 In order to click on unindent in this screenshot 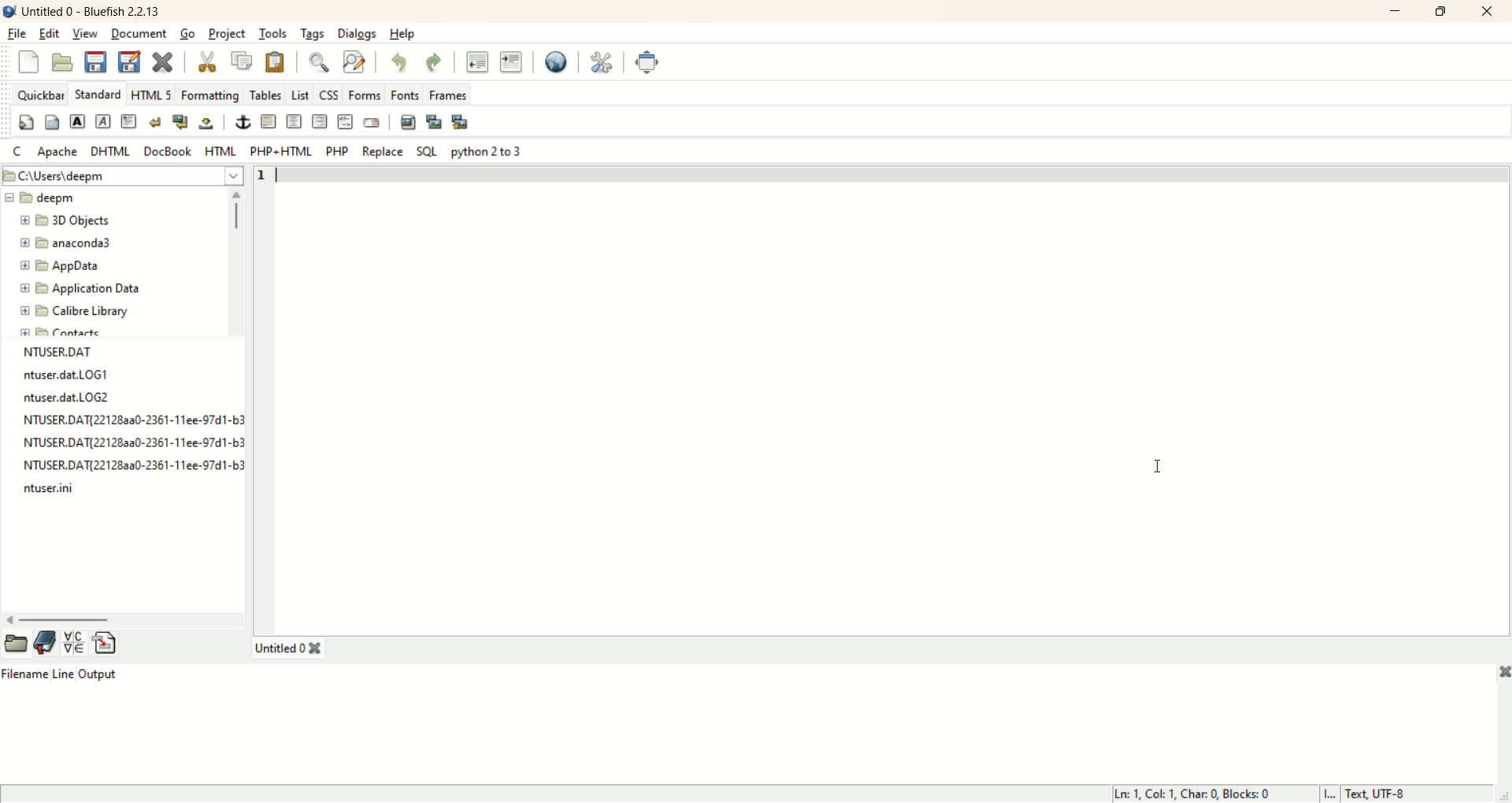, I will do `click(477, 61)`.